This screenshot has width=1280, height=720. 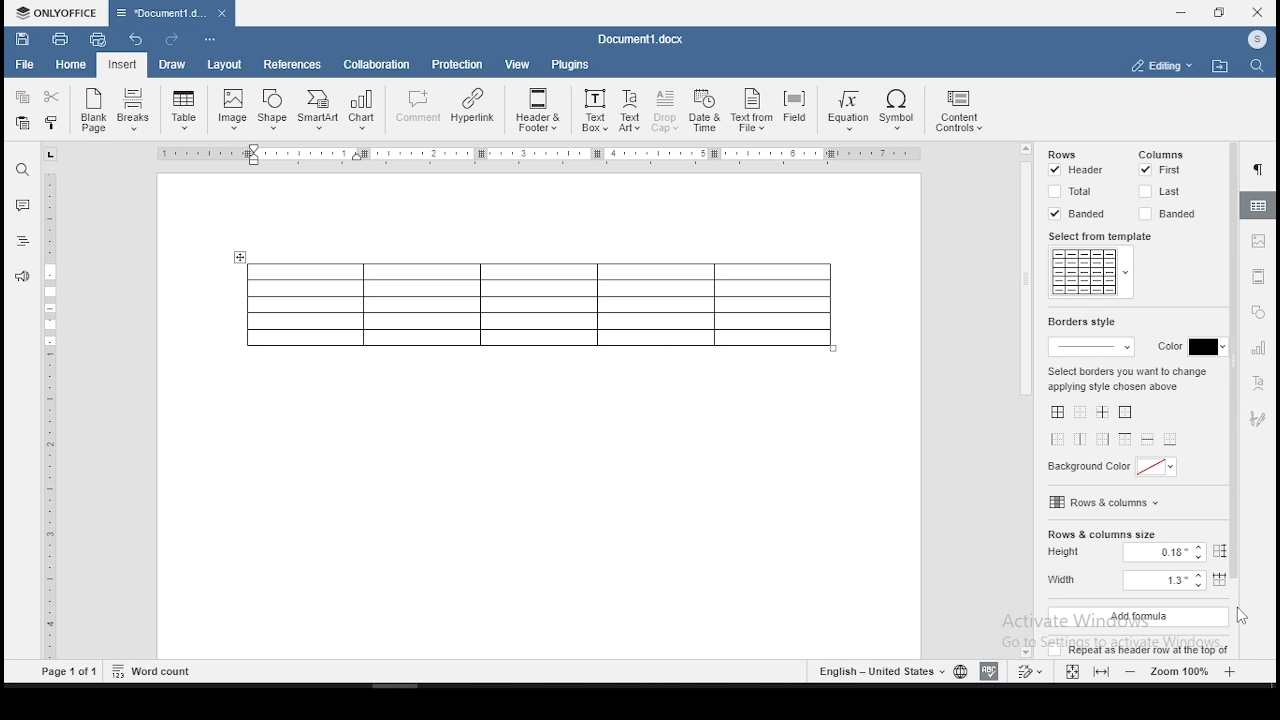 What do you see at coordinates (1260, 348) in the screenshot?
I see `charts settings` at bounding box center [1260, 348].